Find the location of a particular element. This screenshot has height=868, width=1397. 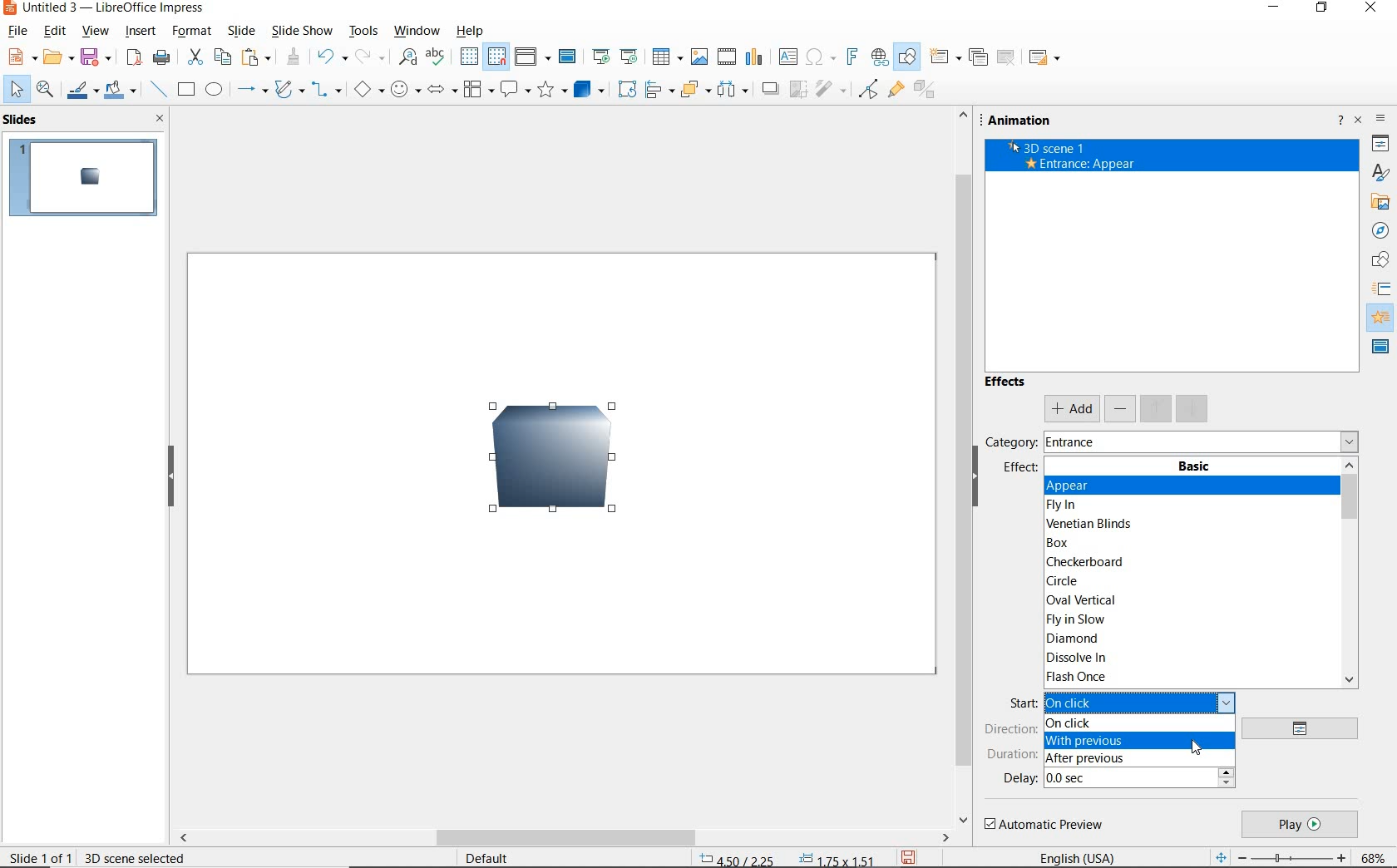

flowchart is located at coordinates (477, 91).